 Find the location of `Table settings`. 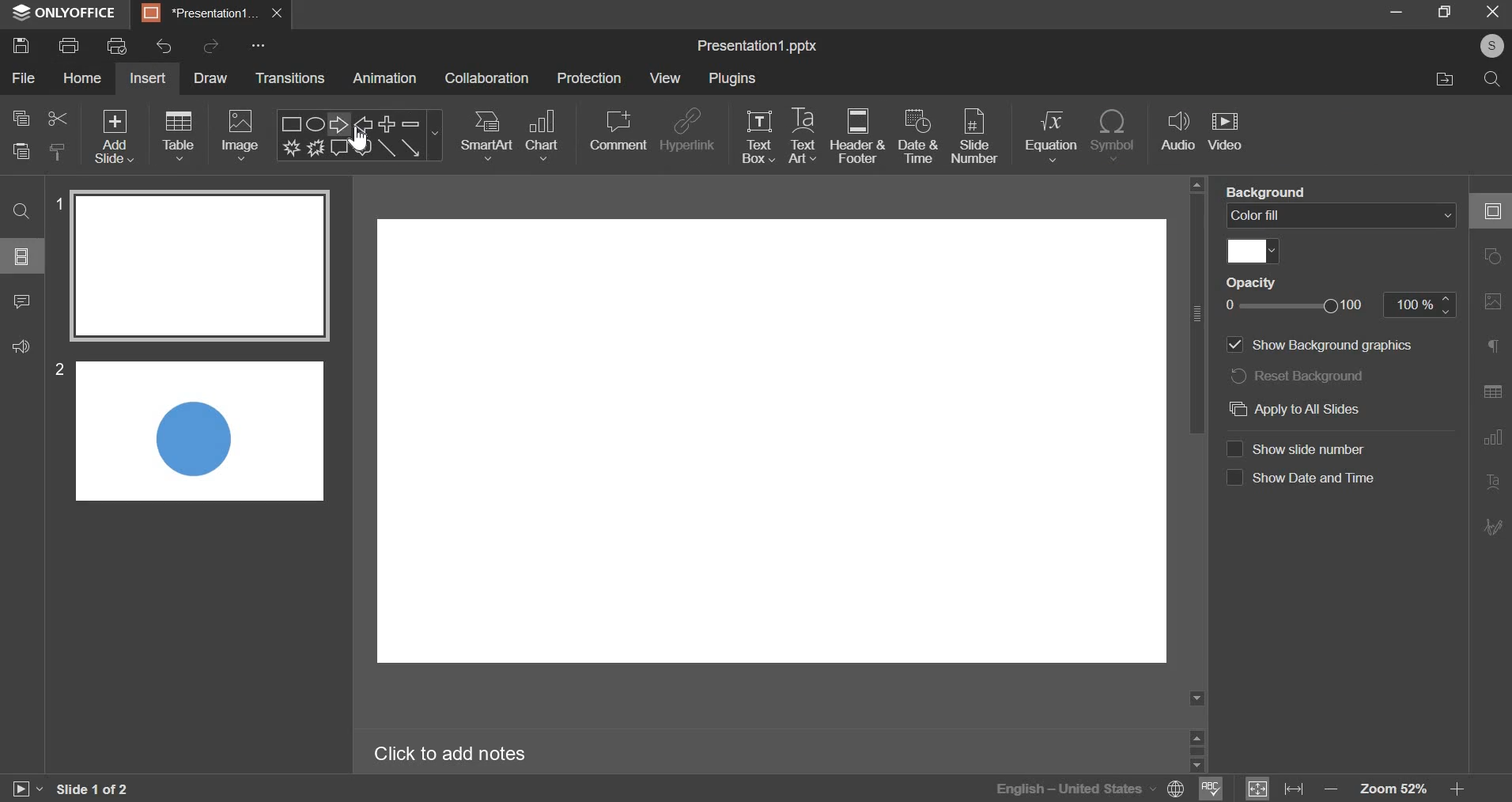

Table settings is located at coordinates (1491, 390).